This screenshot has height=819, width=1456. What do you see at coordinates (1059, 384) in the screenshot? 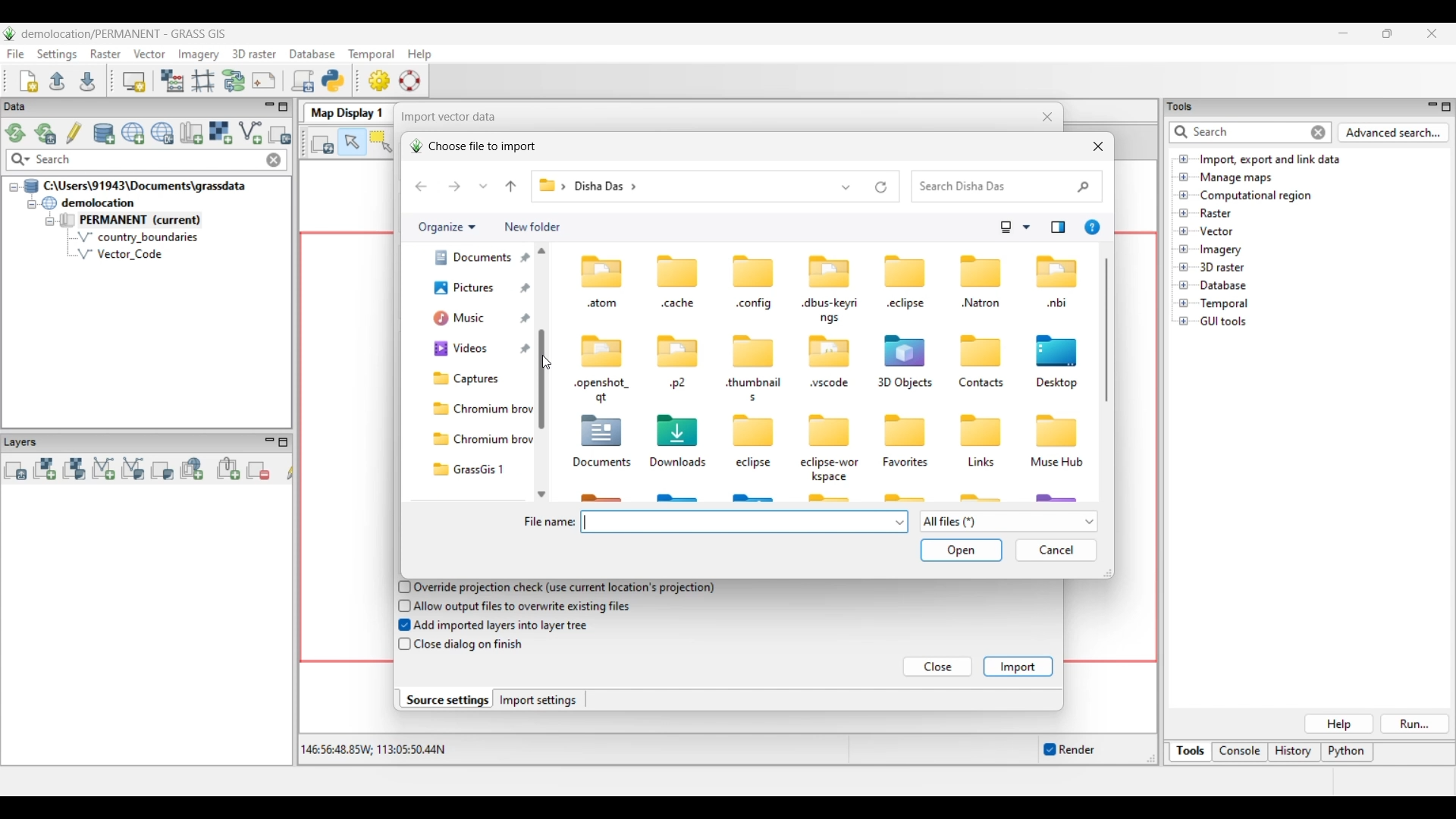
I see `Desktop` at bounding box center [1059, 384].